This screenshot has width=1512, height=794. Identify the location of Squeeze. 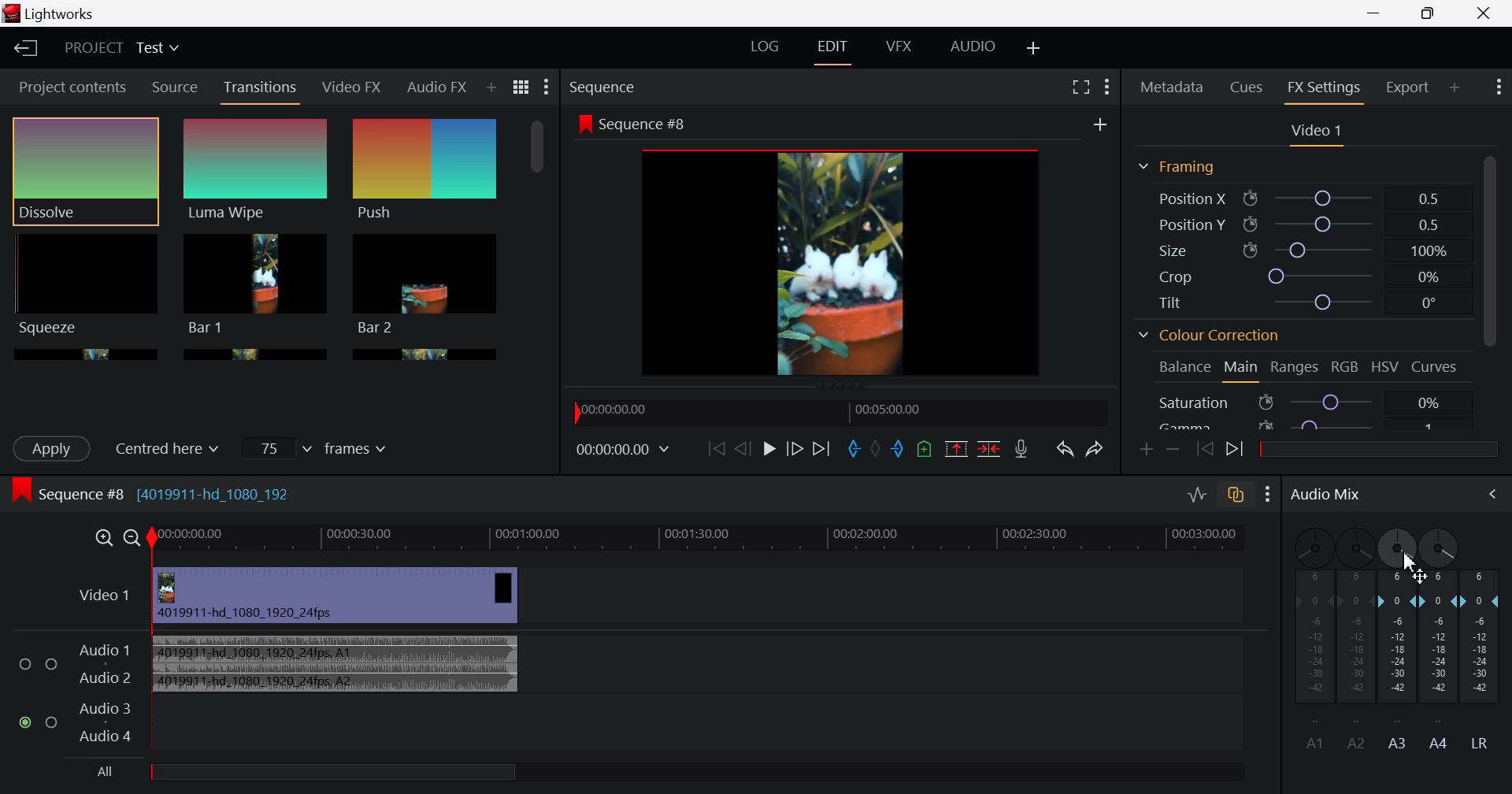
(84, 284).